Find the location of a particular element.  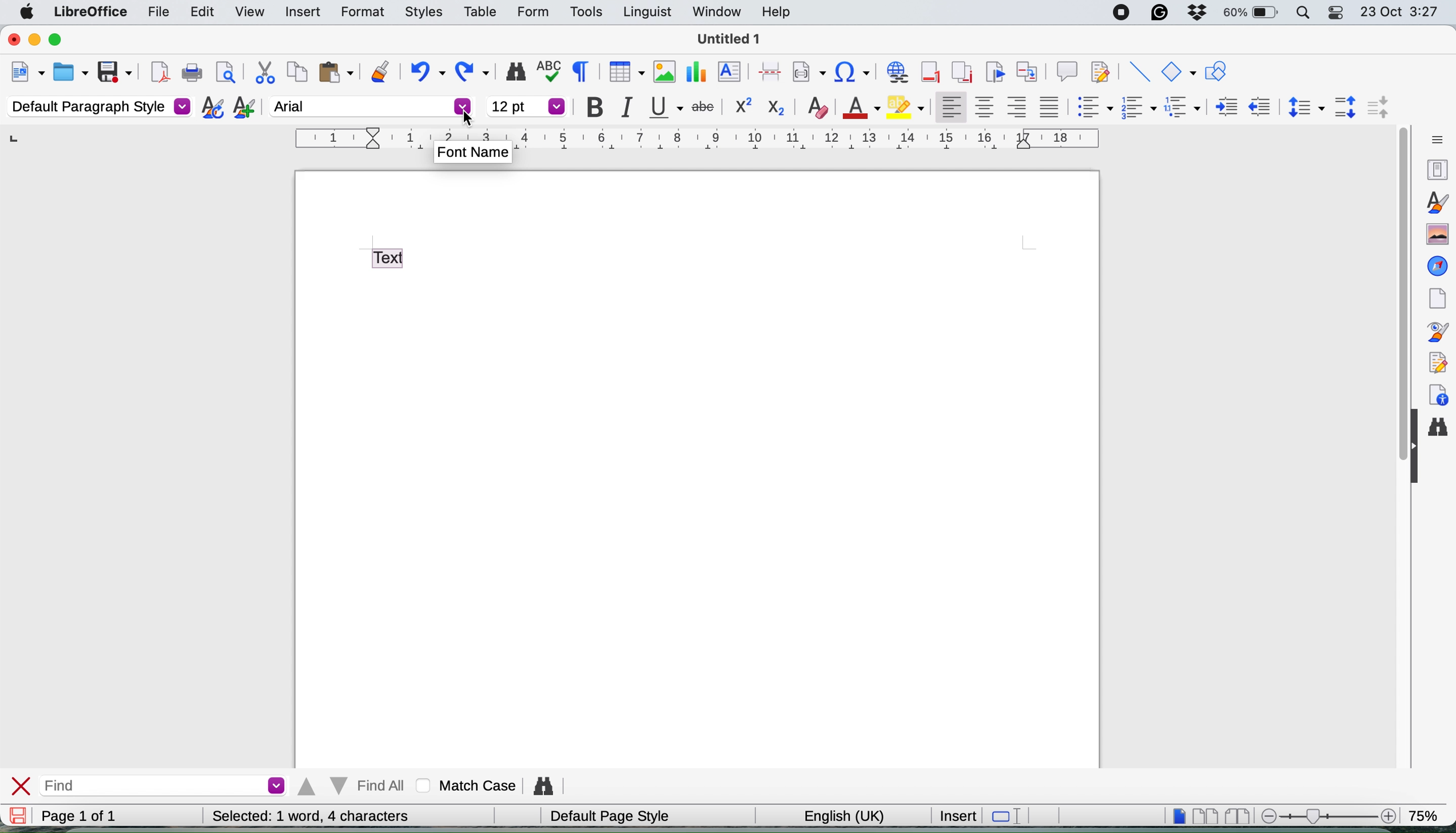

vertical scroll bar is located at coordinates (1398, 265).